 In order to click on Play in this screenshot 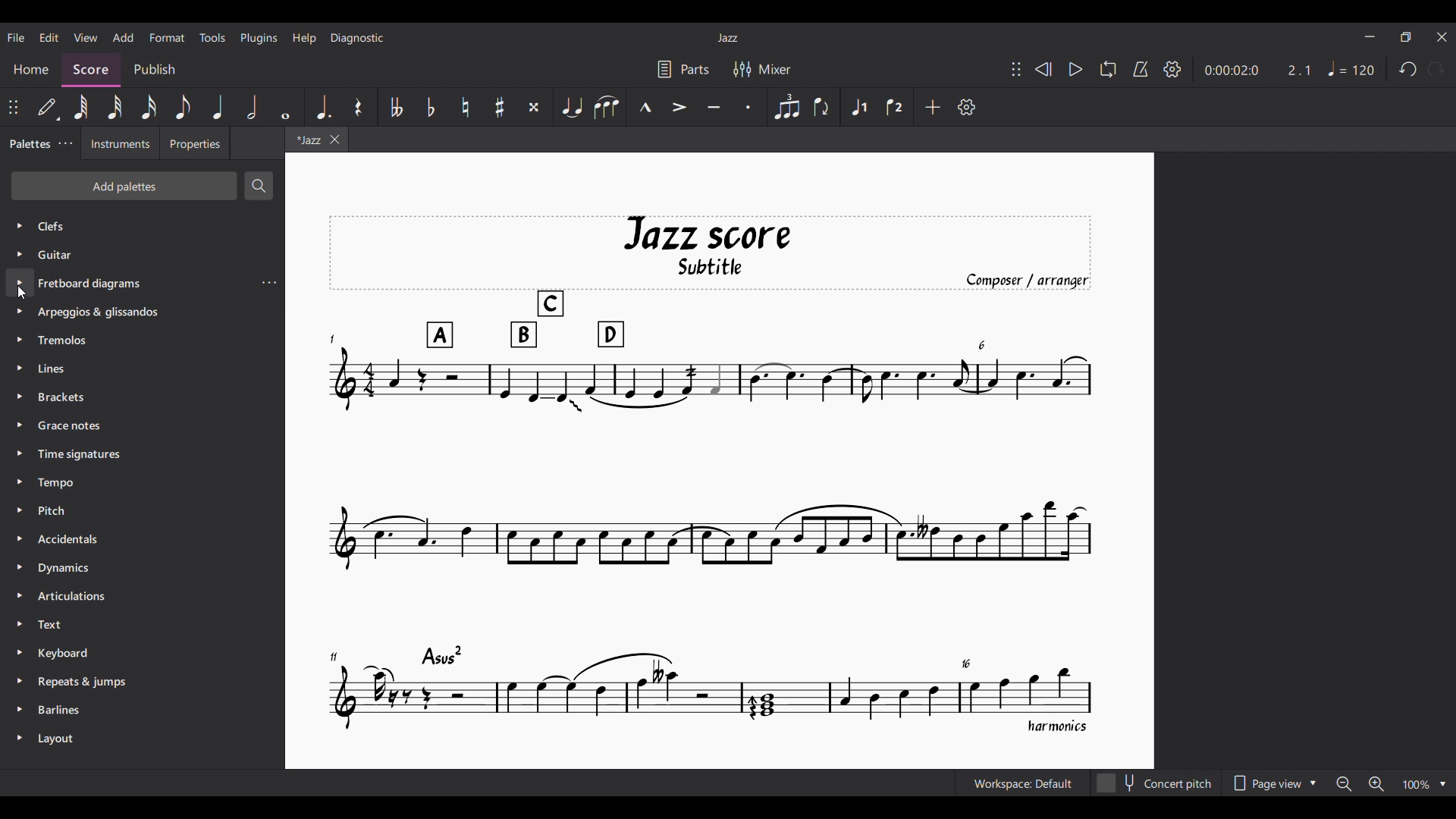, I will do `click(1077, 70)`.